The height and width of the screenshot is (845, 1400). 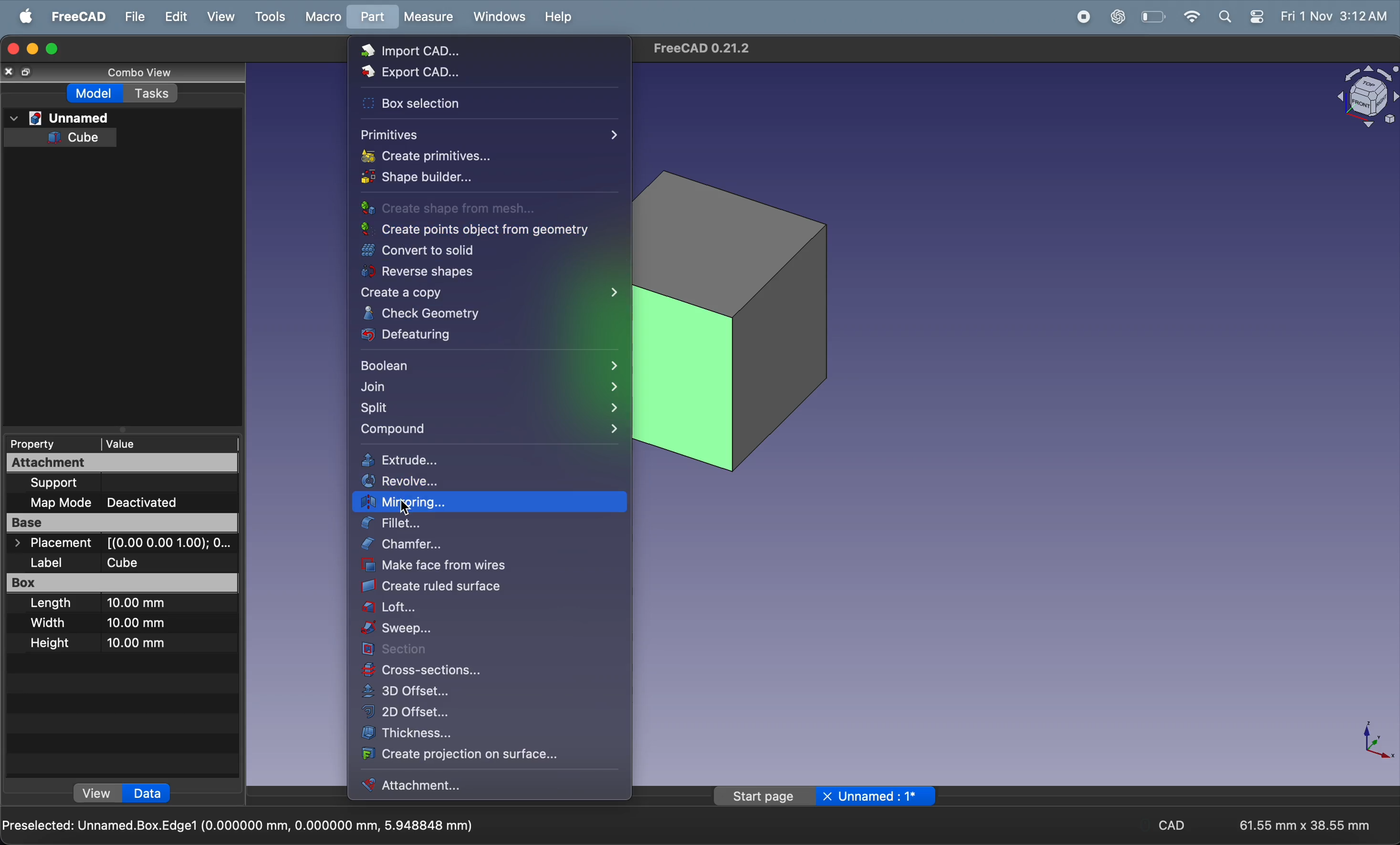 I want to click on close, so click(x=12, y=70).